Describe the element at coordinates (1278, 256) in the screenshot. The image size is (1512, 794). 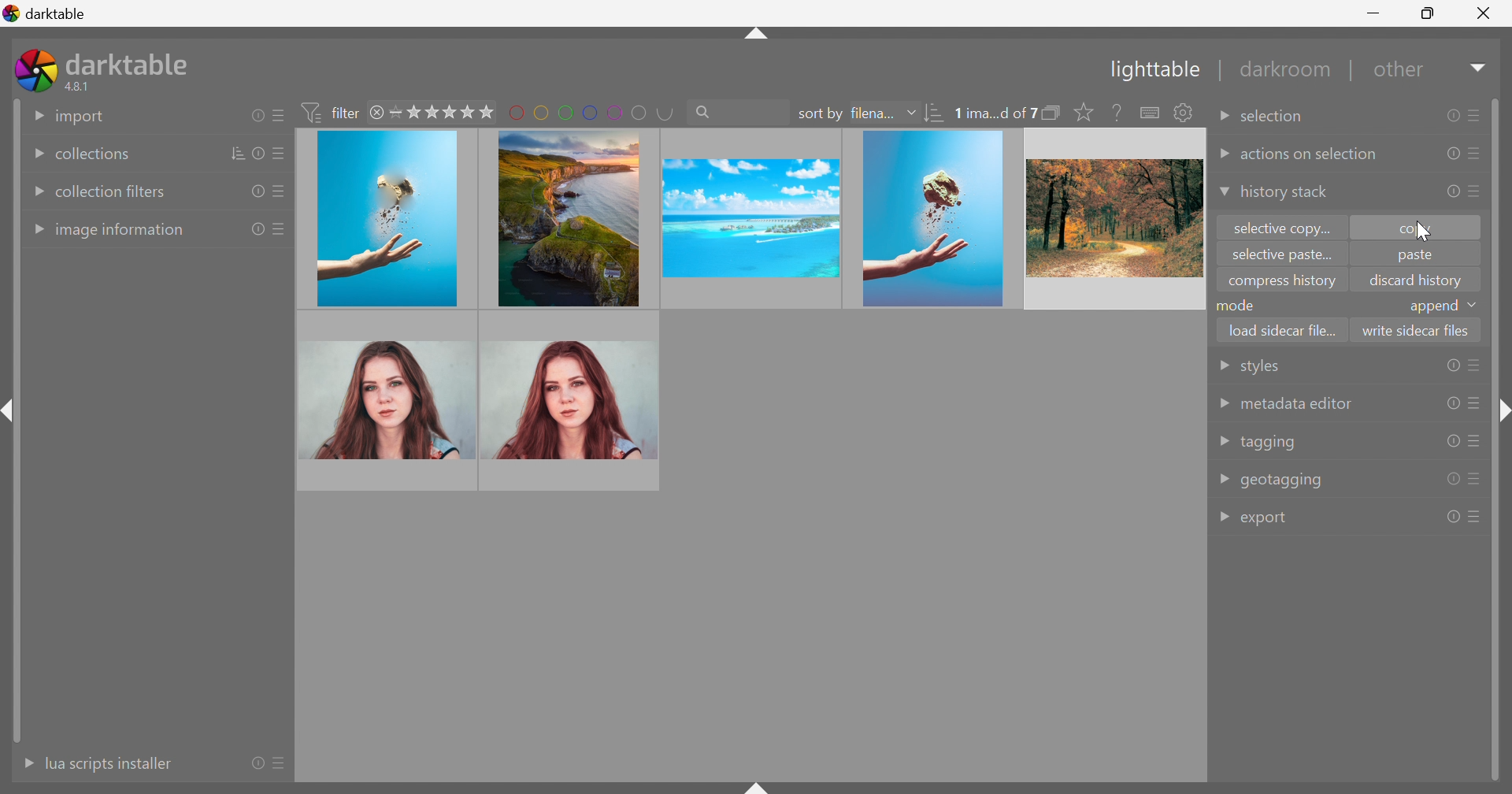
I see `selective paste...` at that location.